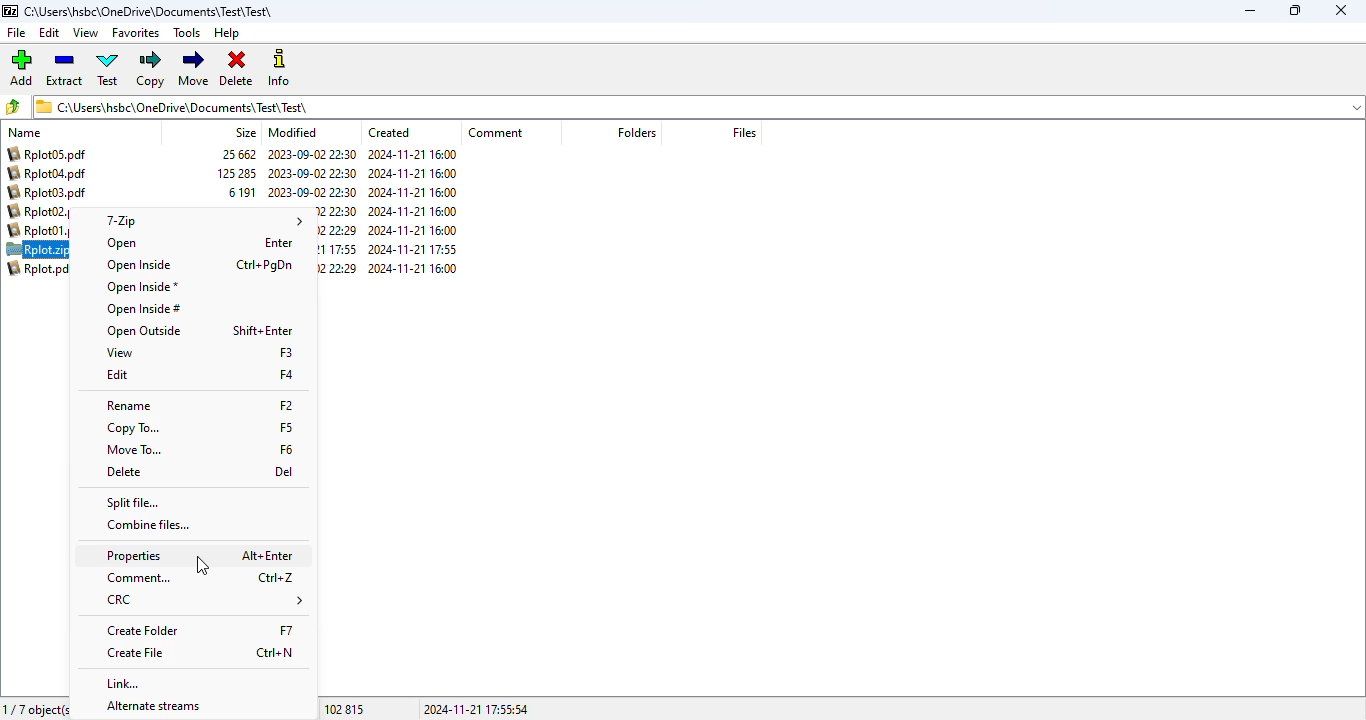 Image resolution: width=1366 pixels, height=720 pixels. I want to click on combine files, so click(150, 525).